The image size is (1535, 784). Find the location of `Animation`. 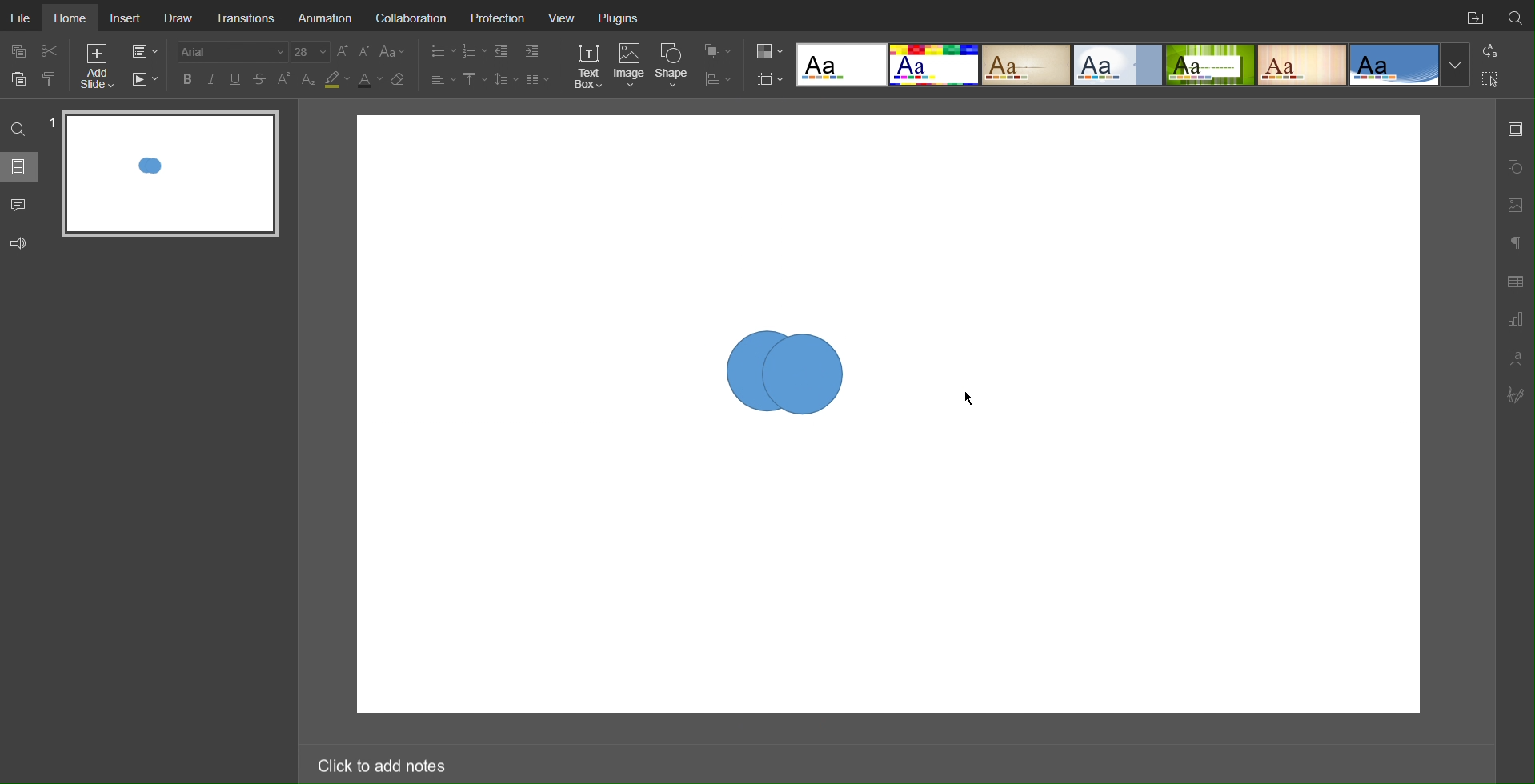

Animation is located at coordinates (327, 18).